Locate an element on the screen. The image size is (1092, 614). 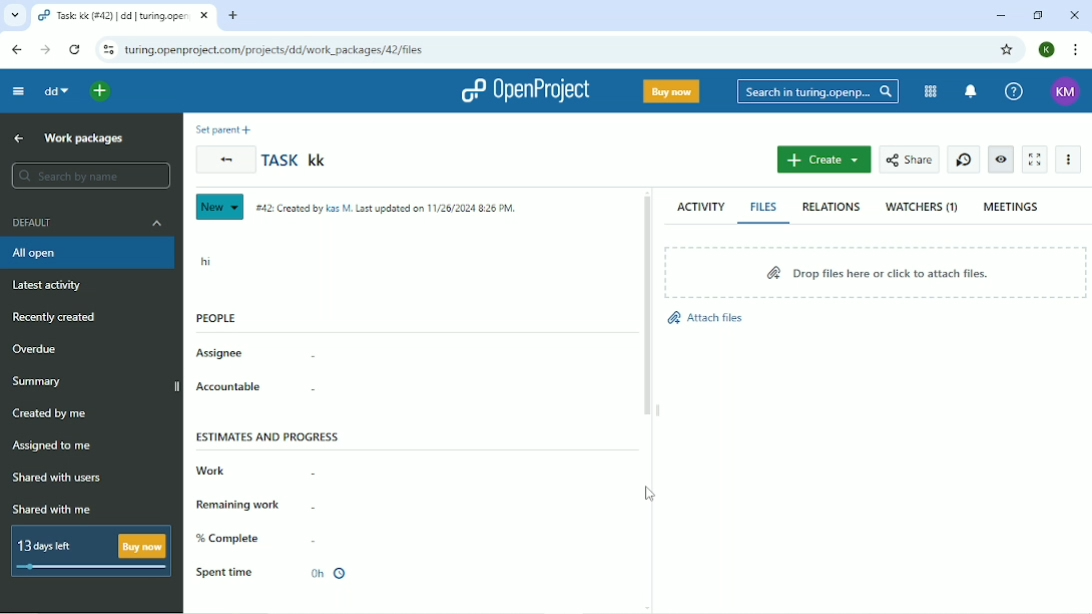
Estimates and progress is located at coordinates (270, 437).